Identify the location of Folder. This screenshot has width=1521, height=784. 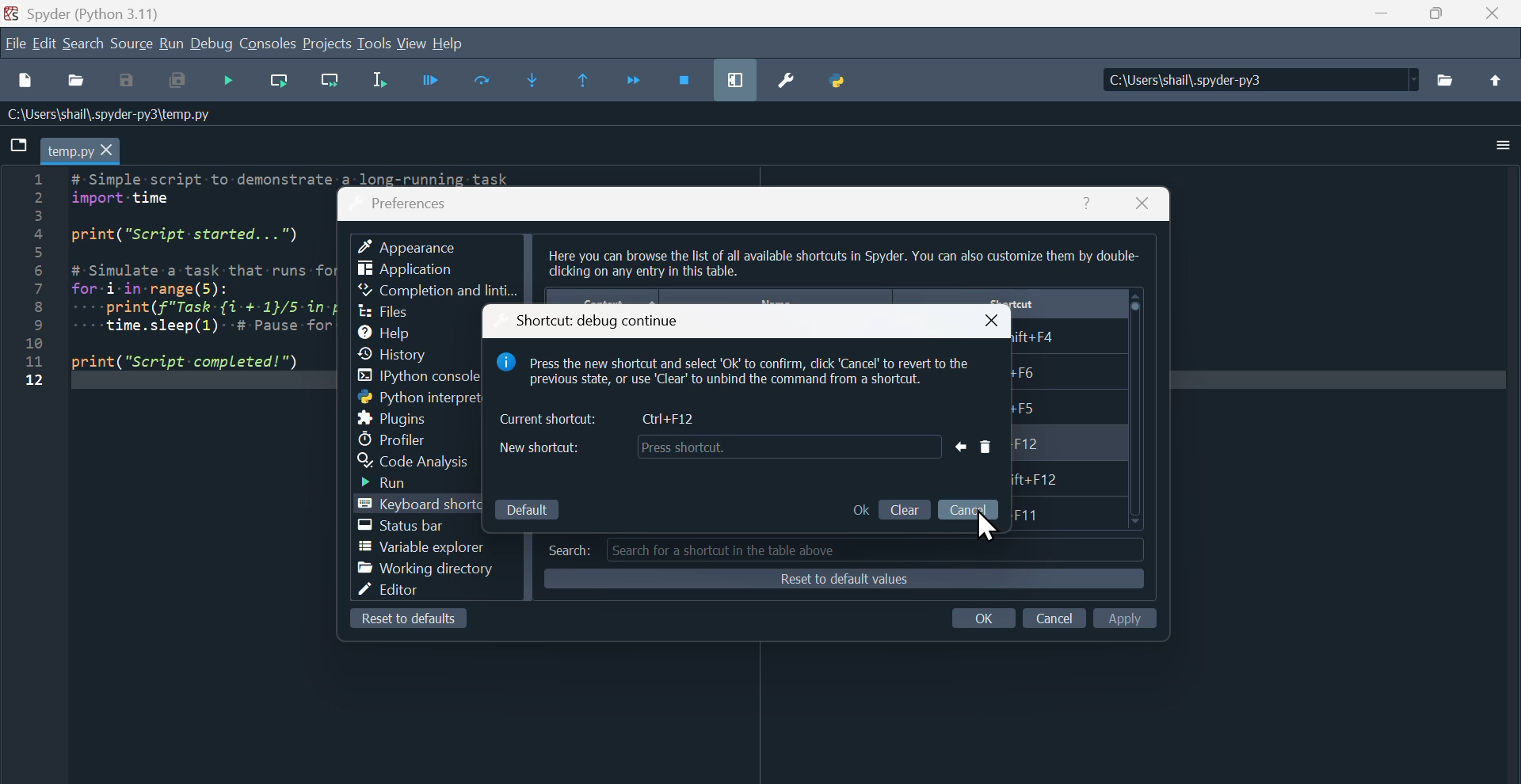
(1451, 83).